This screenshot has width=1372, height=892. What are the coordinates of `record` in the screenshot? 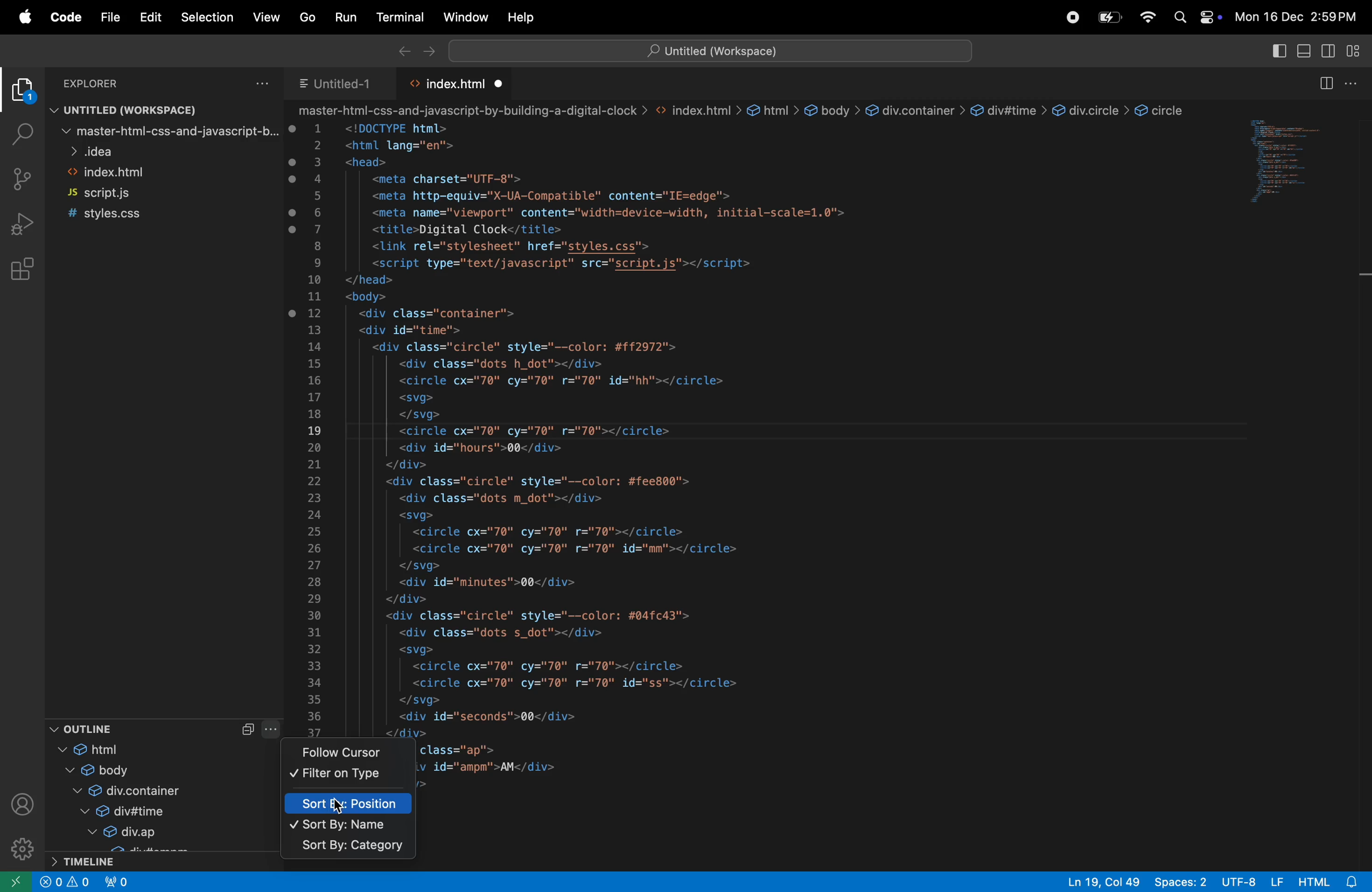 It's located at (1069, 17).